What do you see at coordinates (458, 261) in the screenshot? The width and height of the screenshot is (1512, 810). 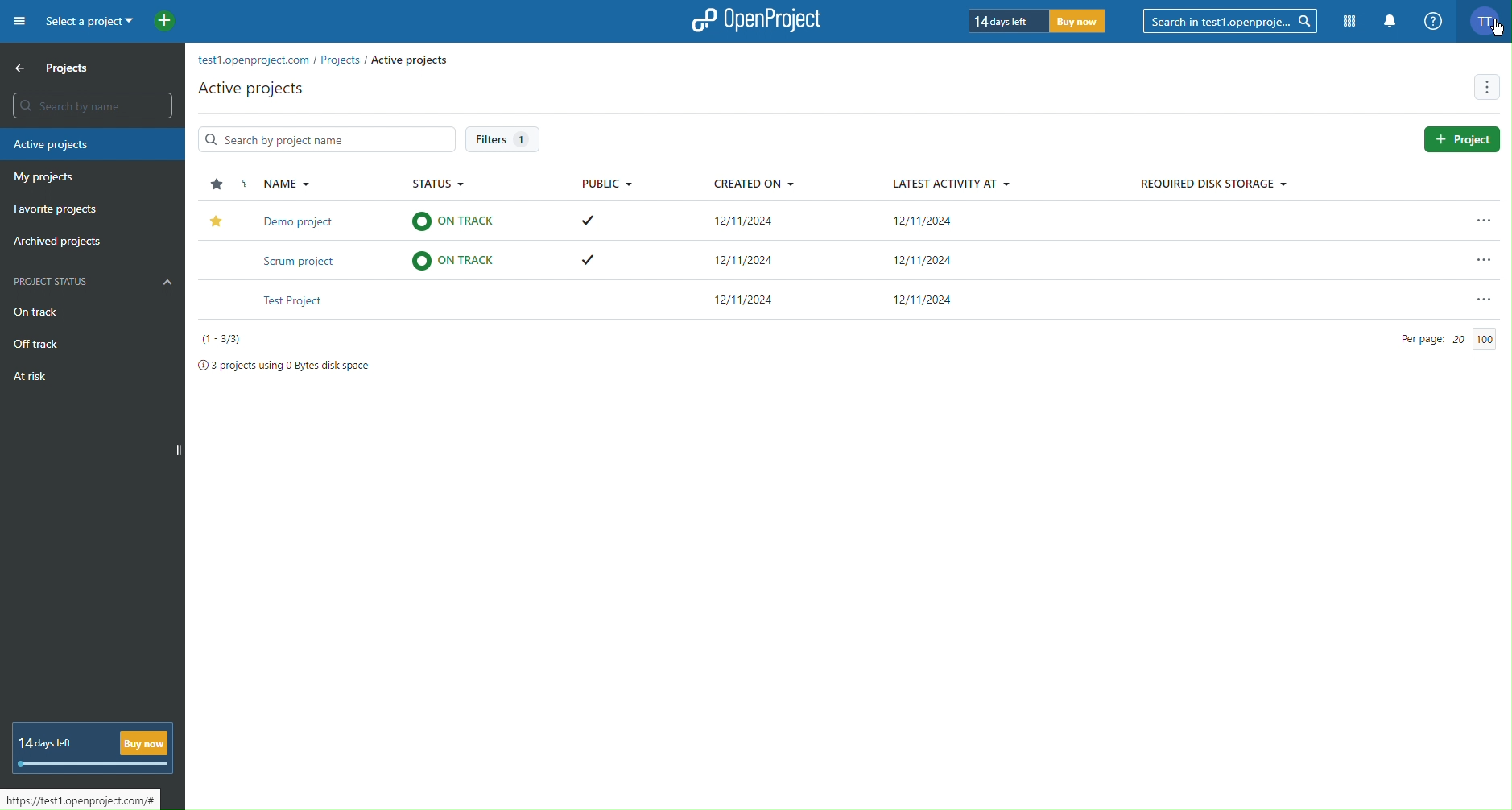 I see `ON TRACK` at bounding box center [458, 261].